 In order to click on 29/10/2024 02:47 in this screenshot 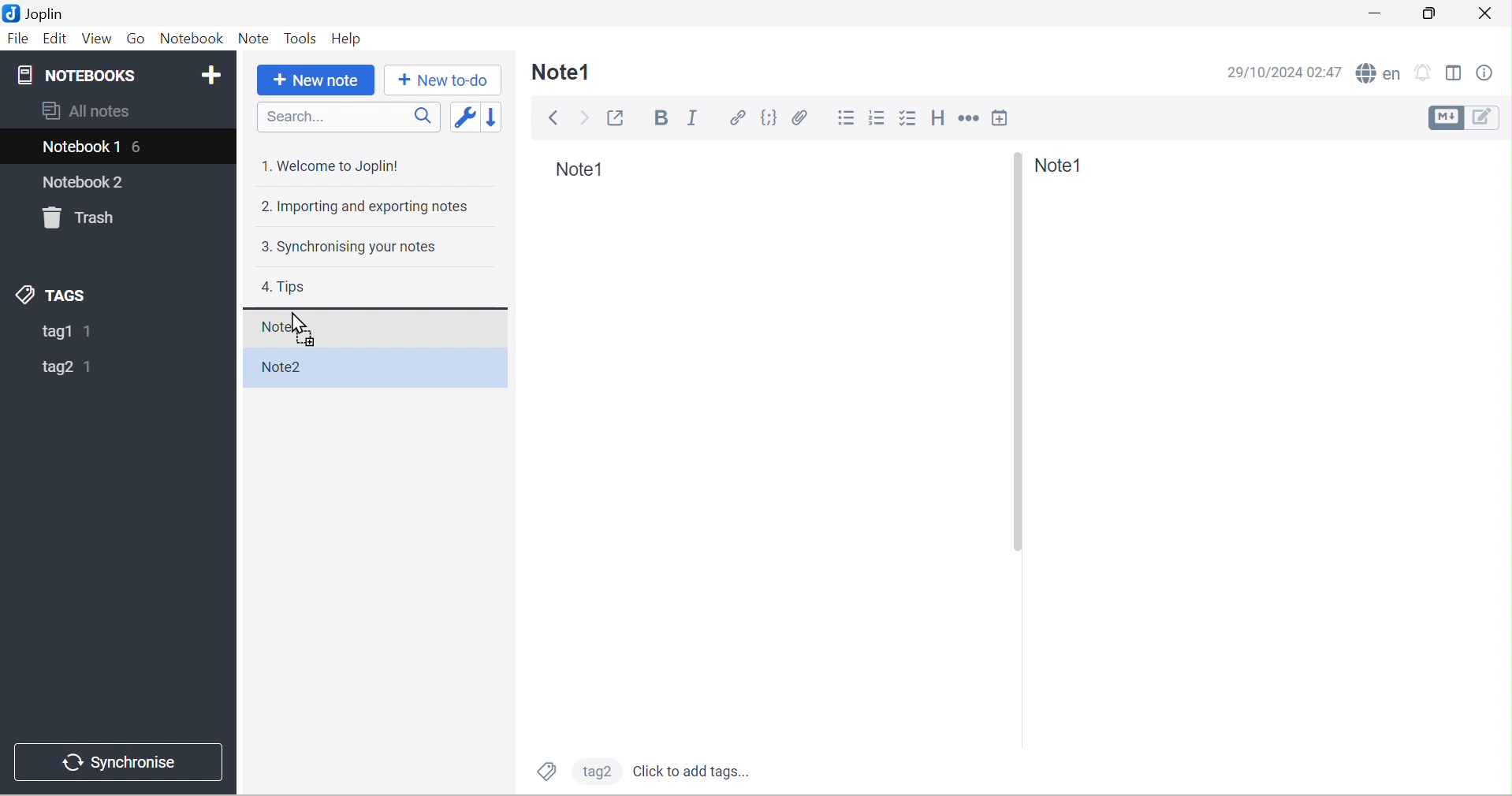, I will do `click(1282, 72)`.